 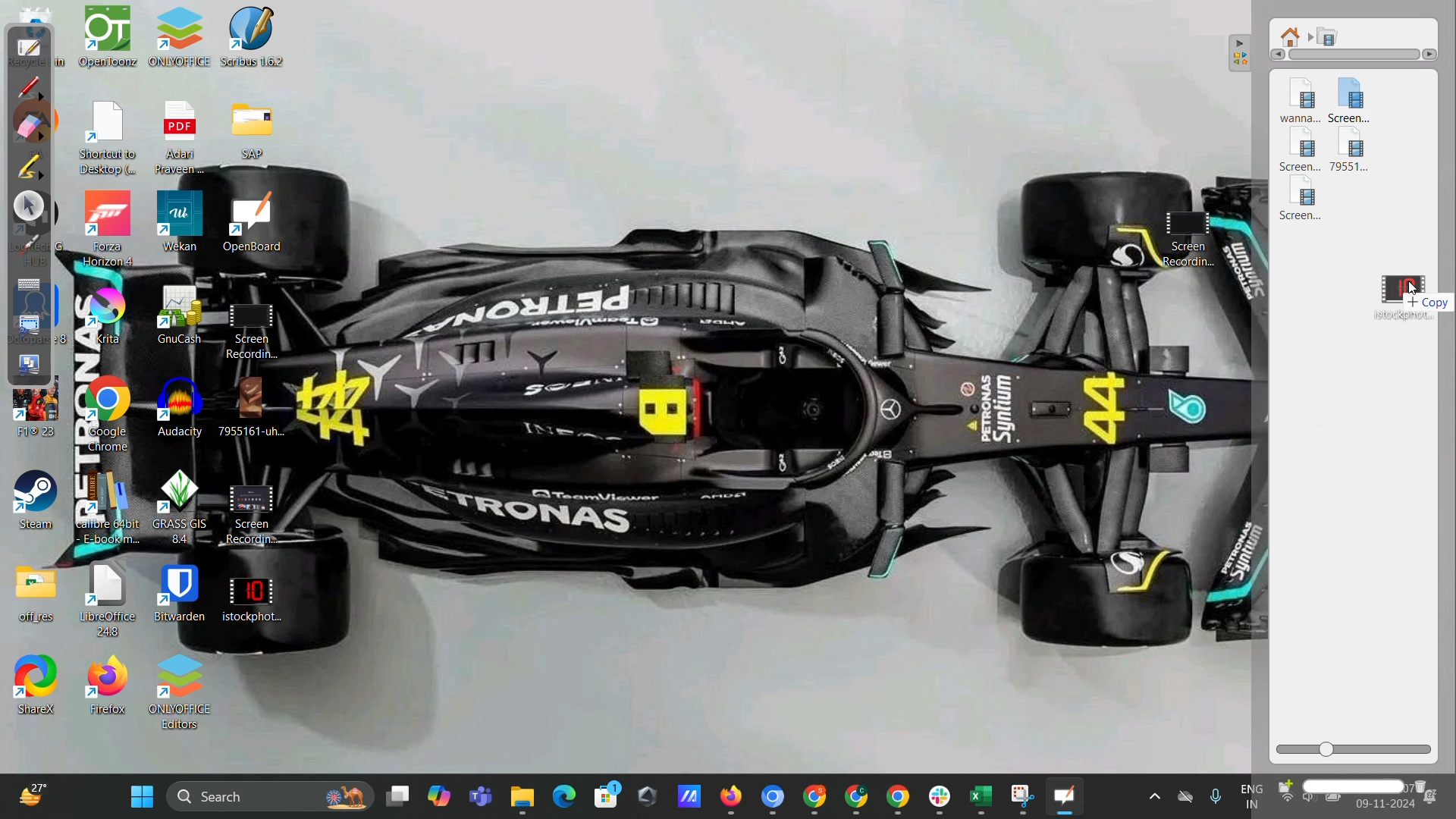 What do you see at coordinates (1185, 798) in the screenshot?
I see `One drive` at bounding box center [1185, 798].